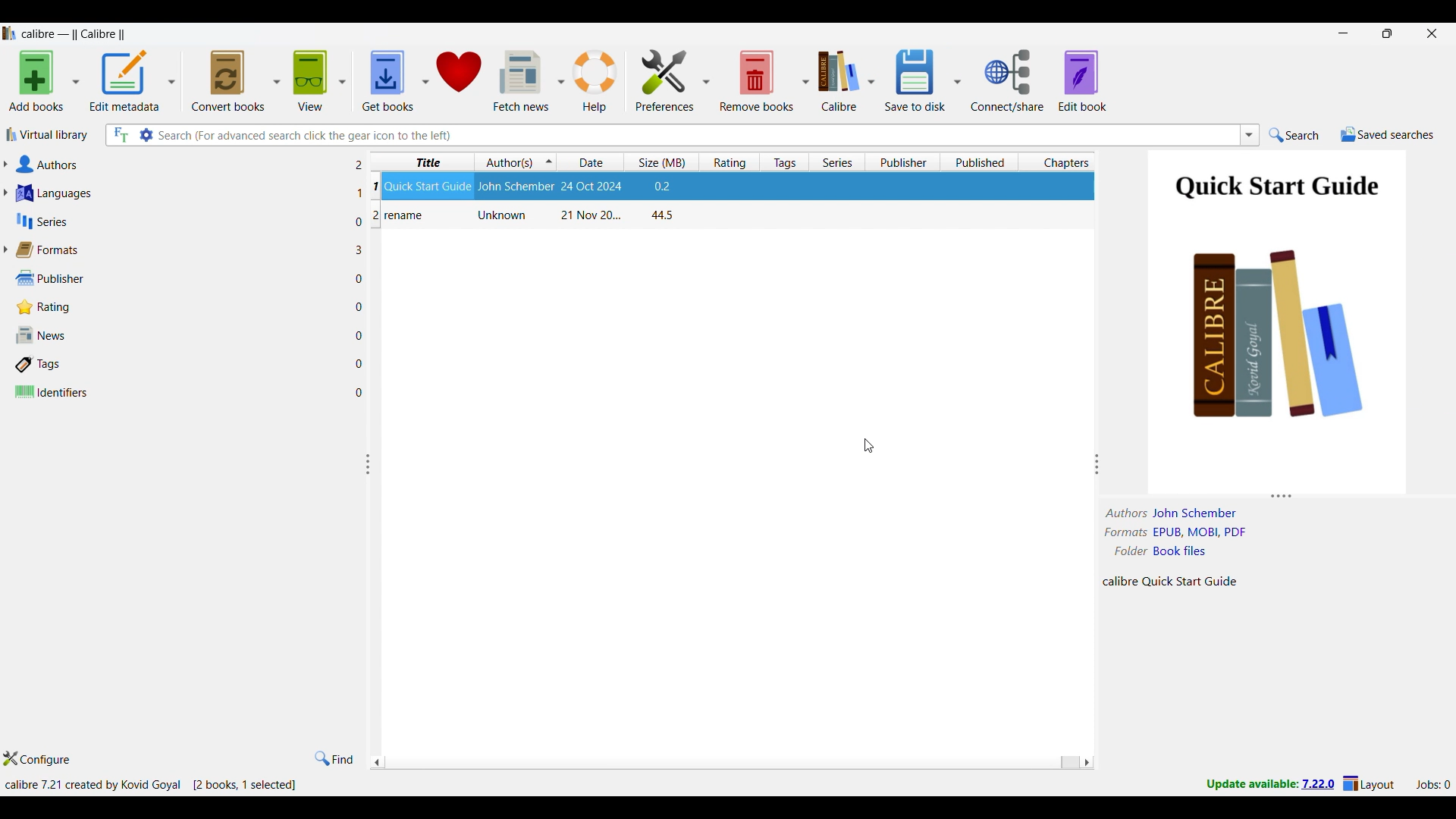 The width and height of the screenshot is (1456, 819). Describe the element at coordinates (361, 281) in the screenshot. I see `0` at that location.